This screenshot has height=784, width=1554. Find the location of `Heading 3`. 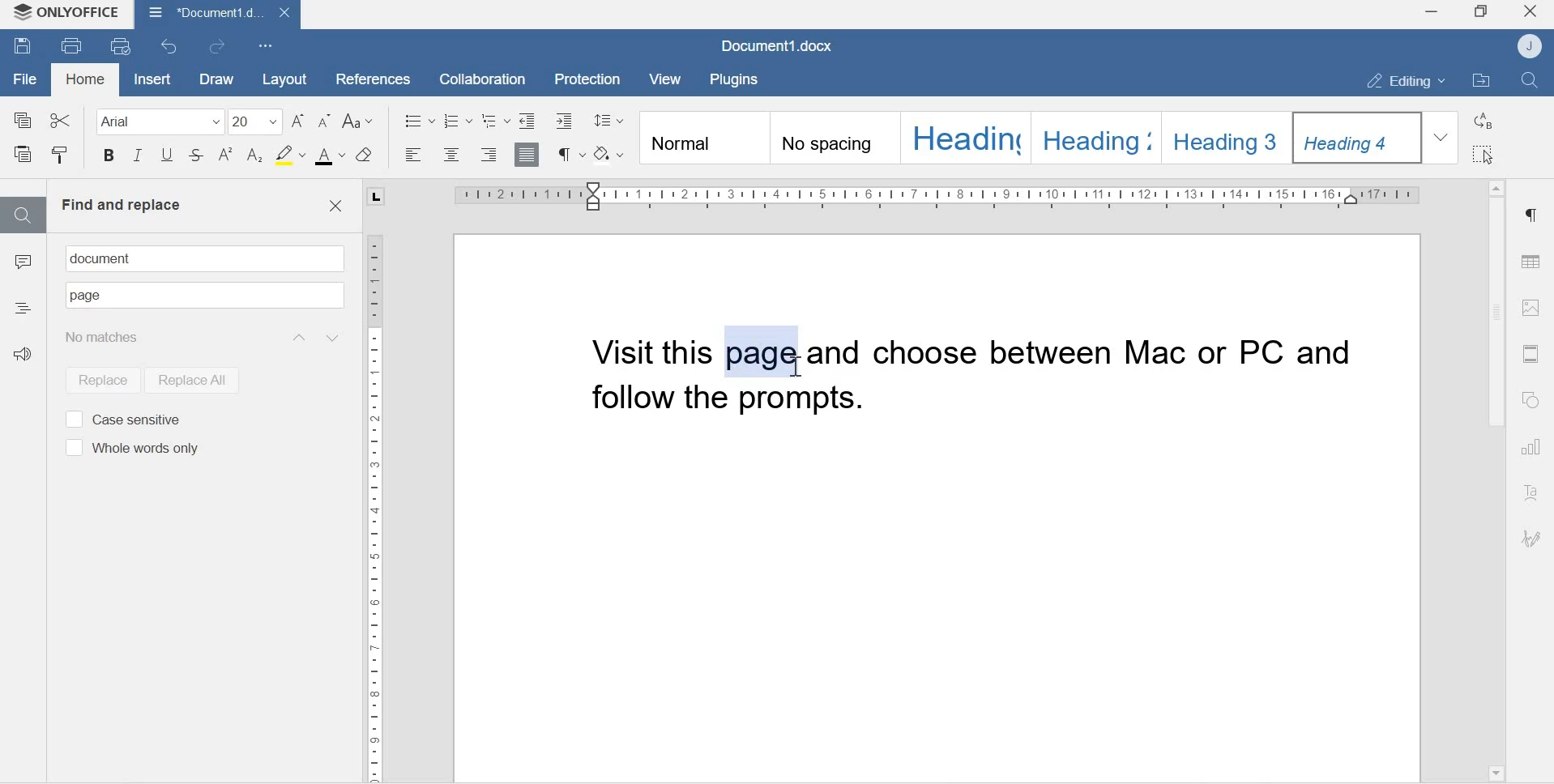

Heading 3 is located at coordinates (1229, 135).